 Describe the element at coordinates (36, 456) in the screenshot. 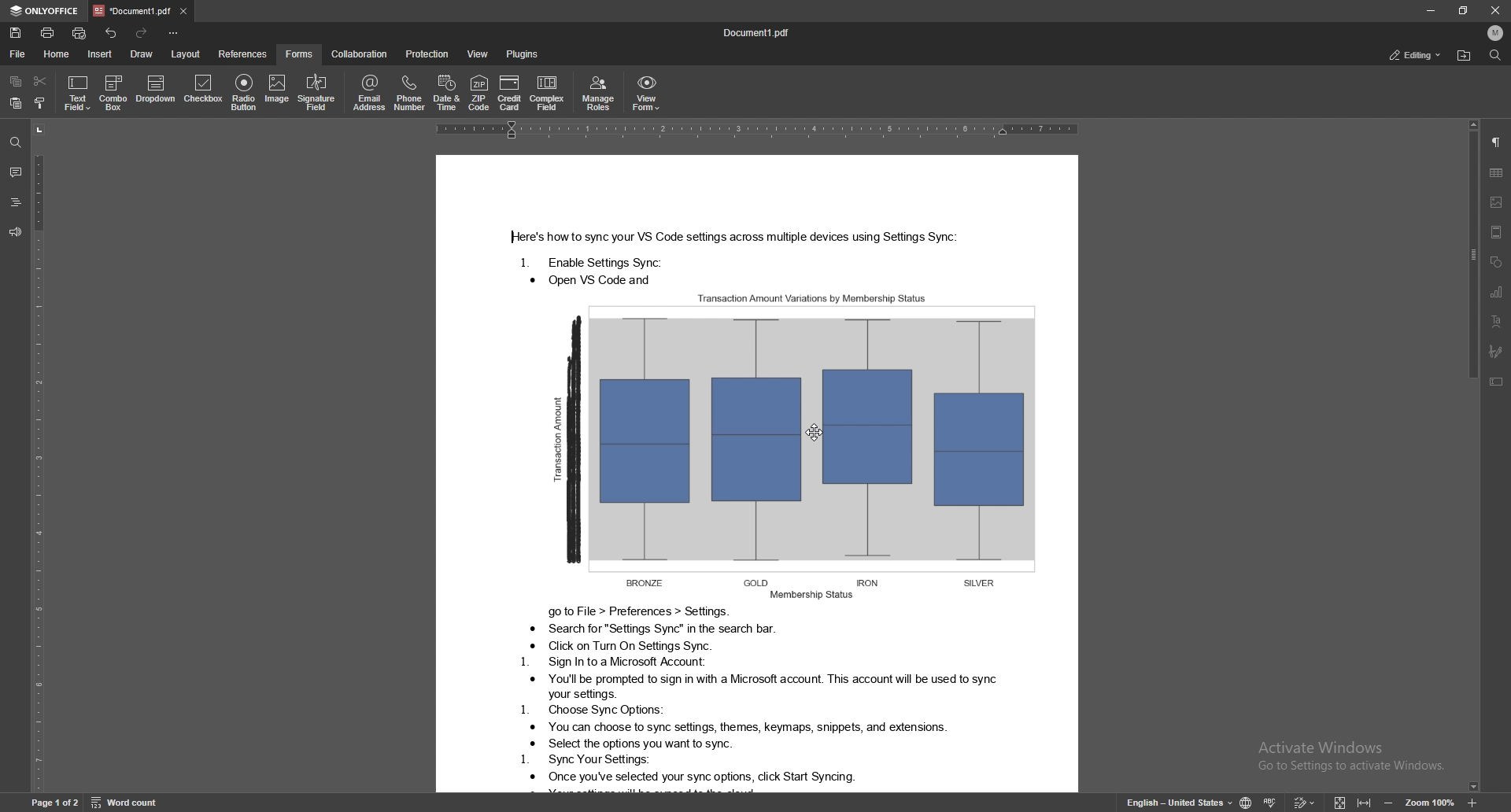

I see `vertical scale` at that location.